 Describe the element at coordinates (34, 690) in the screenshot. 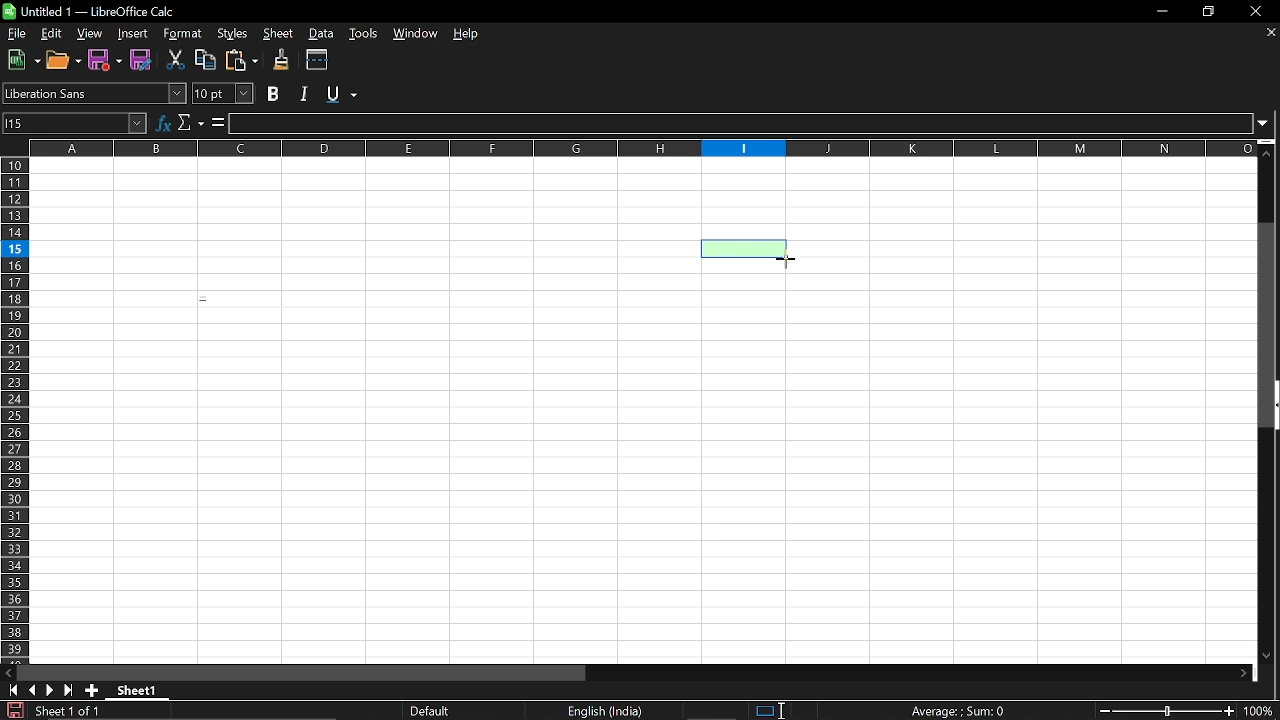

I see `Previous page` at that location.